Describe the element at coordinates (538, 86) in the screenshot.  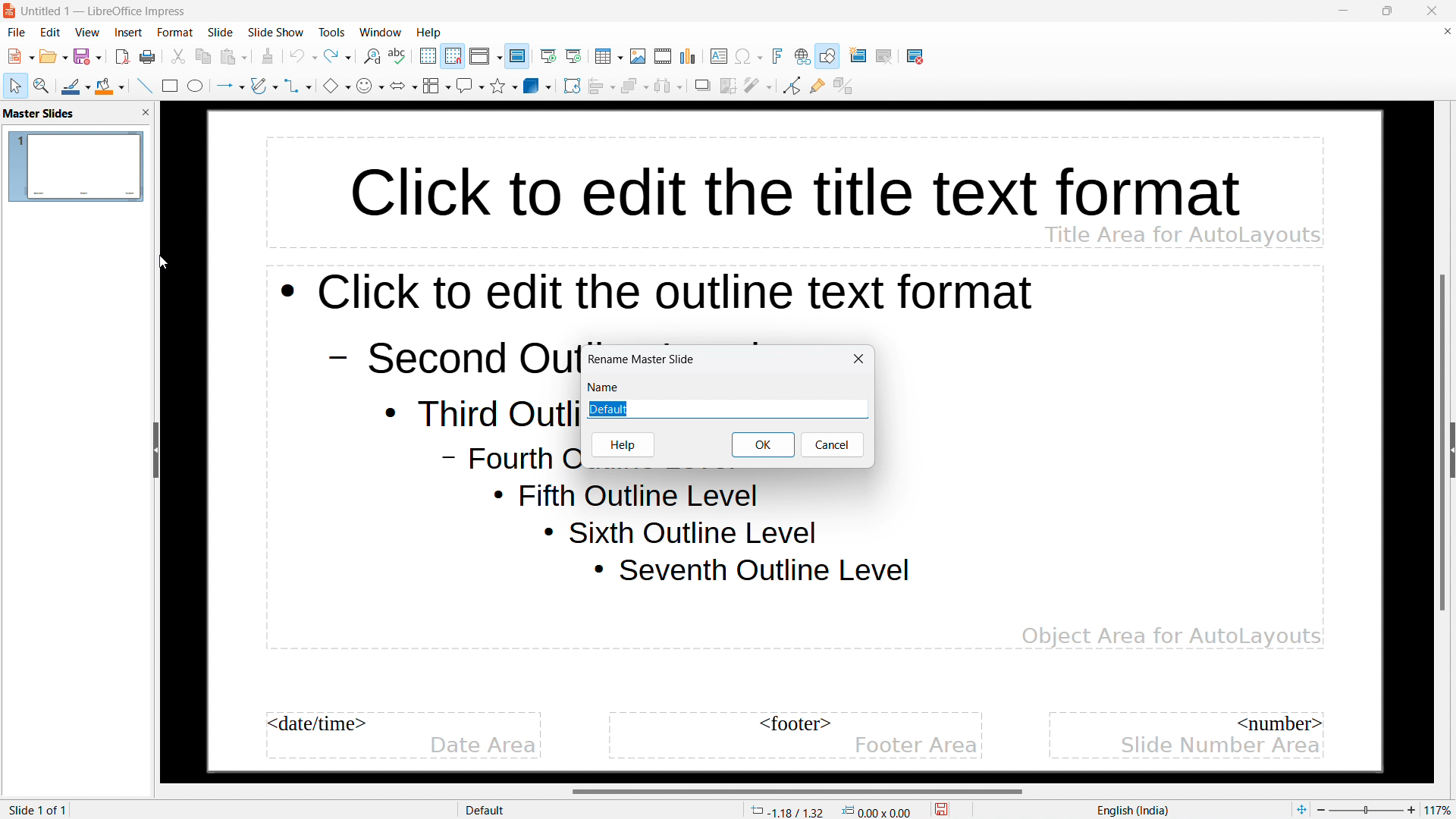
I see `3D objects` at that location.